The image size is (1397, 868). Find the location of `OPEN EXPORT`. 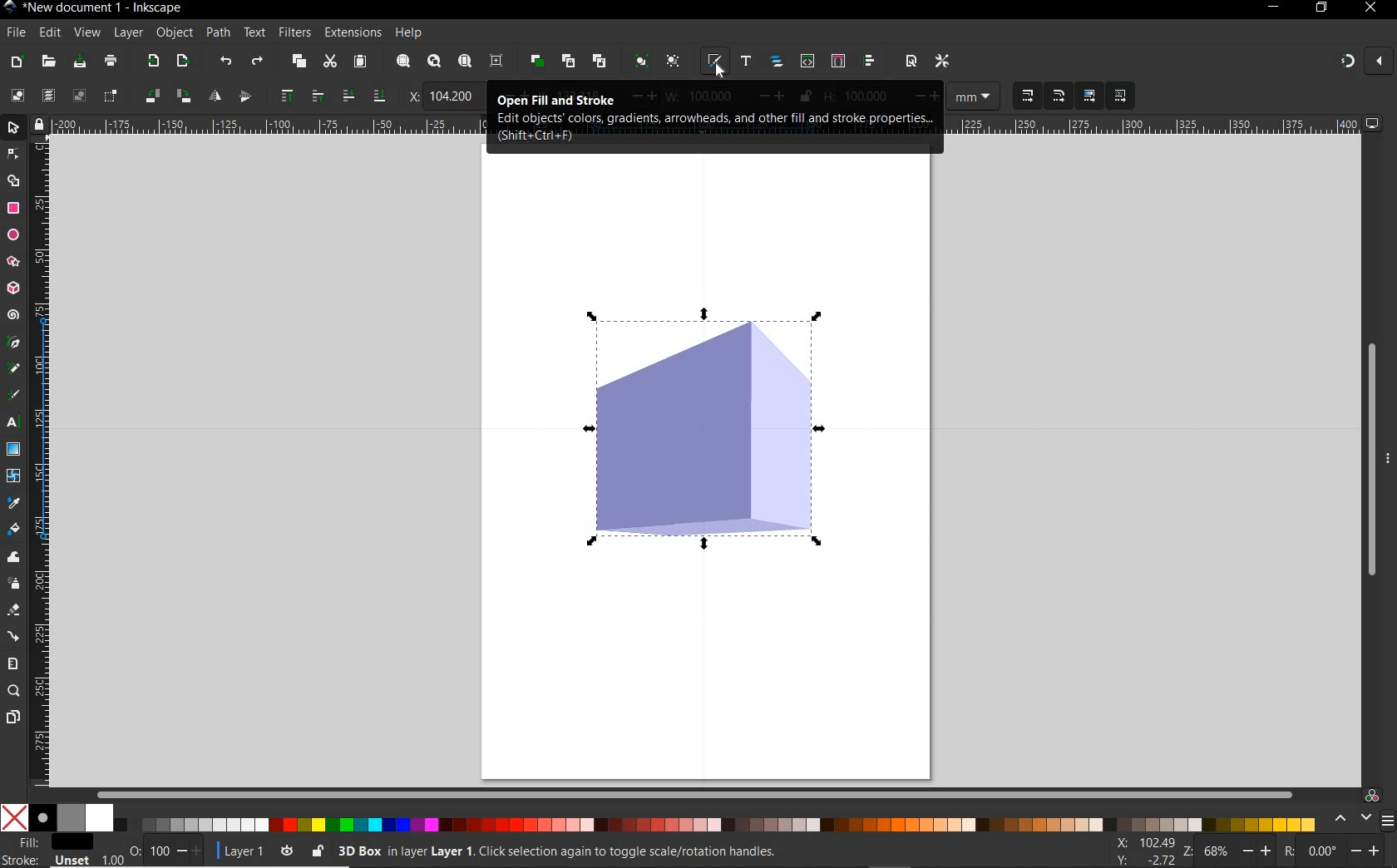

OPEN EXPORT is located at coordinates (183, 63).